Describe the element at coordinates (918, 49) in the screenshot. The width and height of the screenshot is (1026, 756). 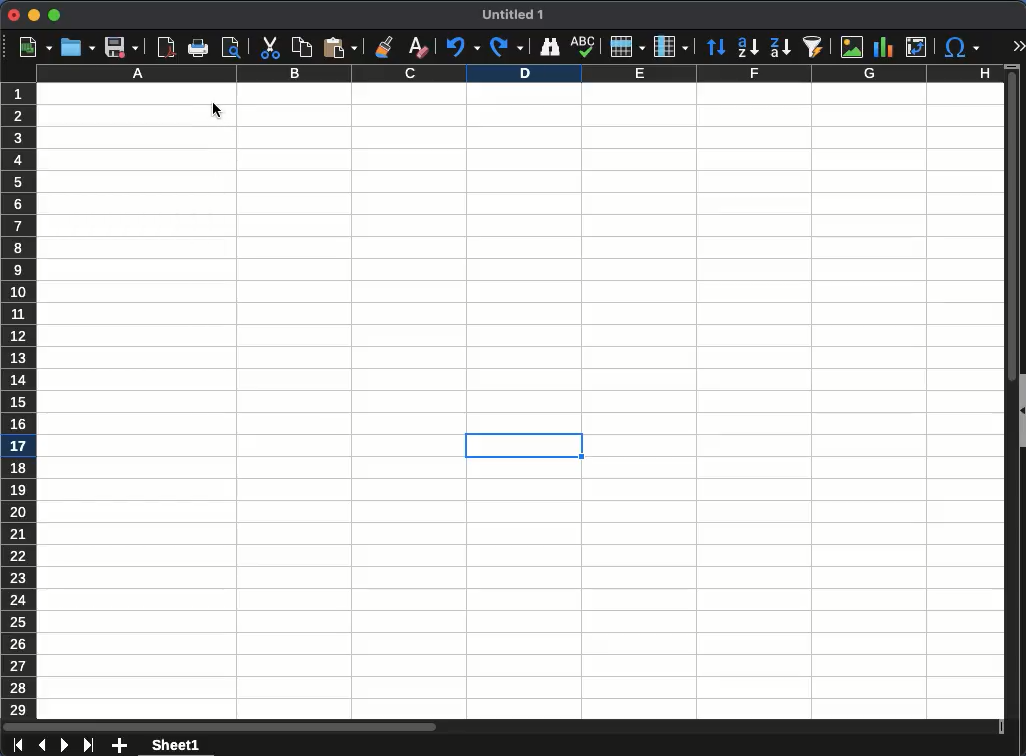
I see `pivot table` at that location.